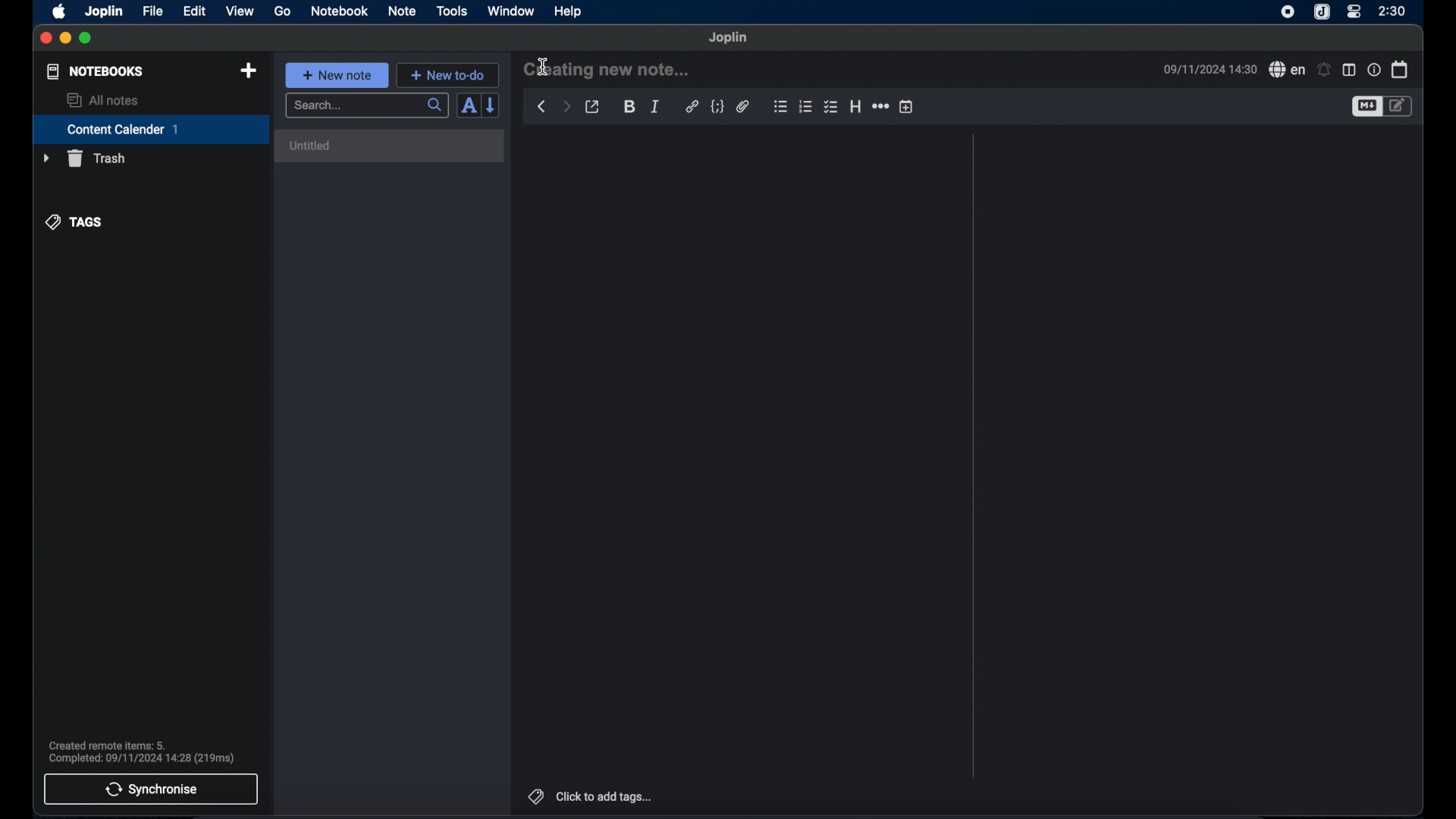 The width and height of the screenshot is (1456, 819). I want to click on control center, so click(1354, 12).